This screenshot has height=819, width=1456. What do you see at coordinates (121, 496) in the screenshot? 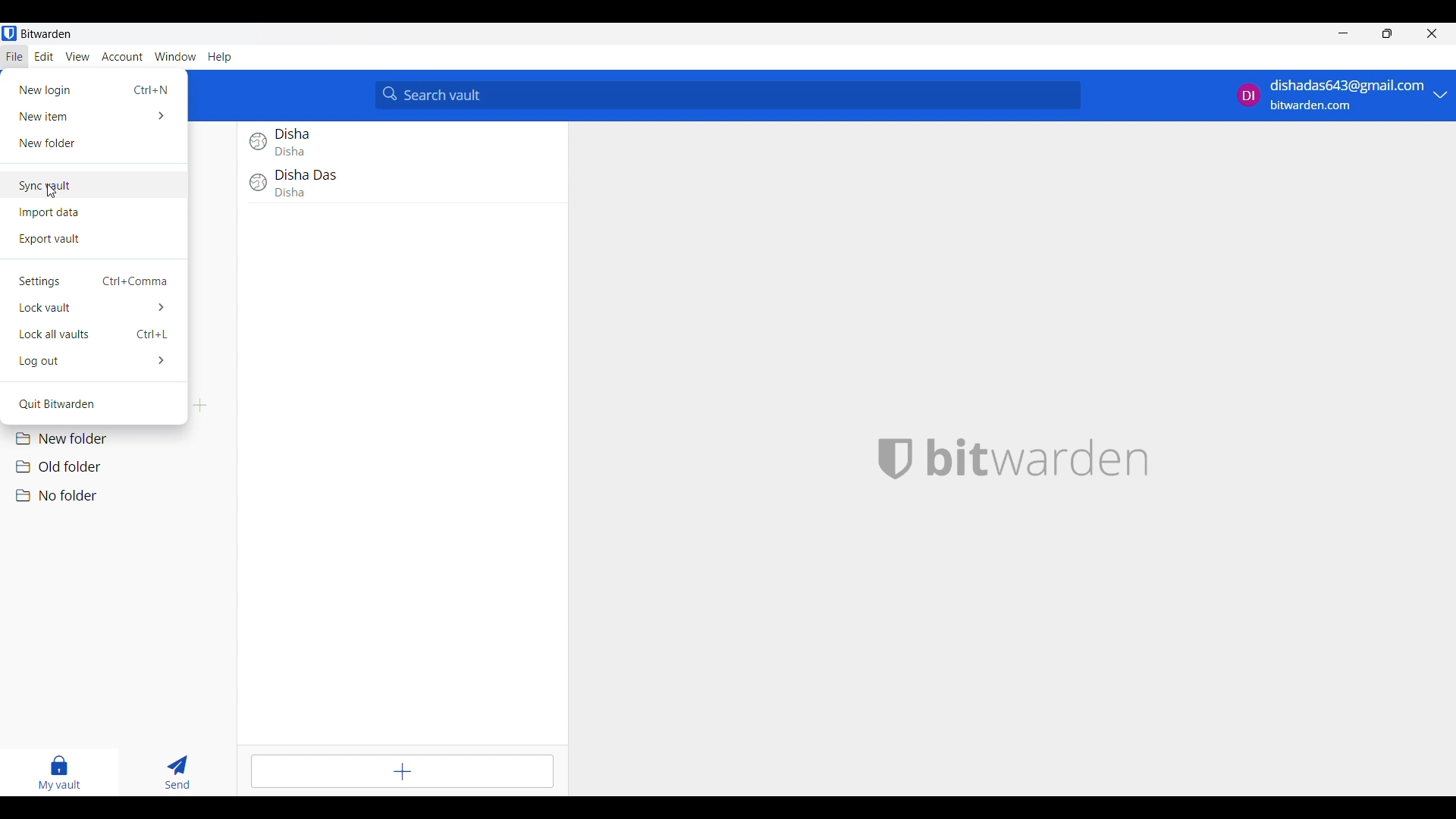
I see `No folder` at bounding box center [121, 496].